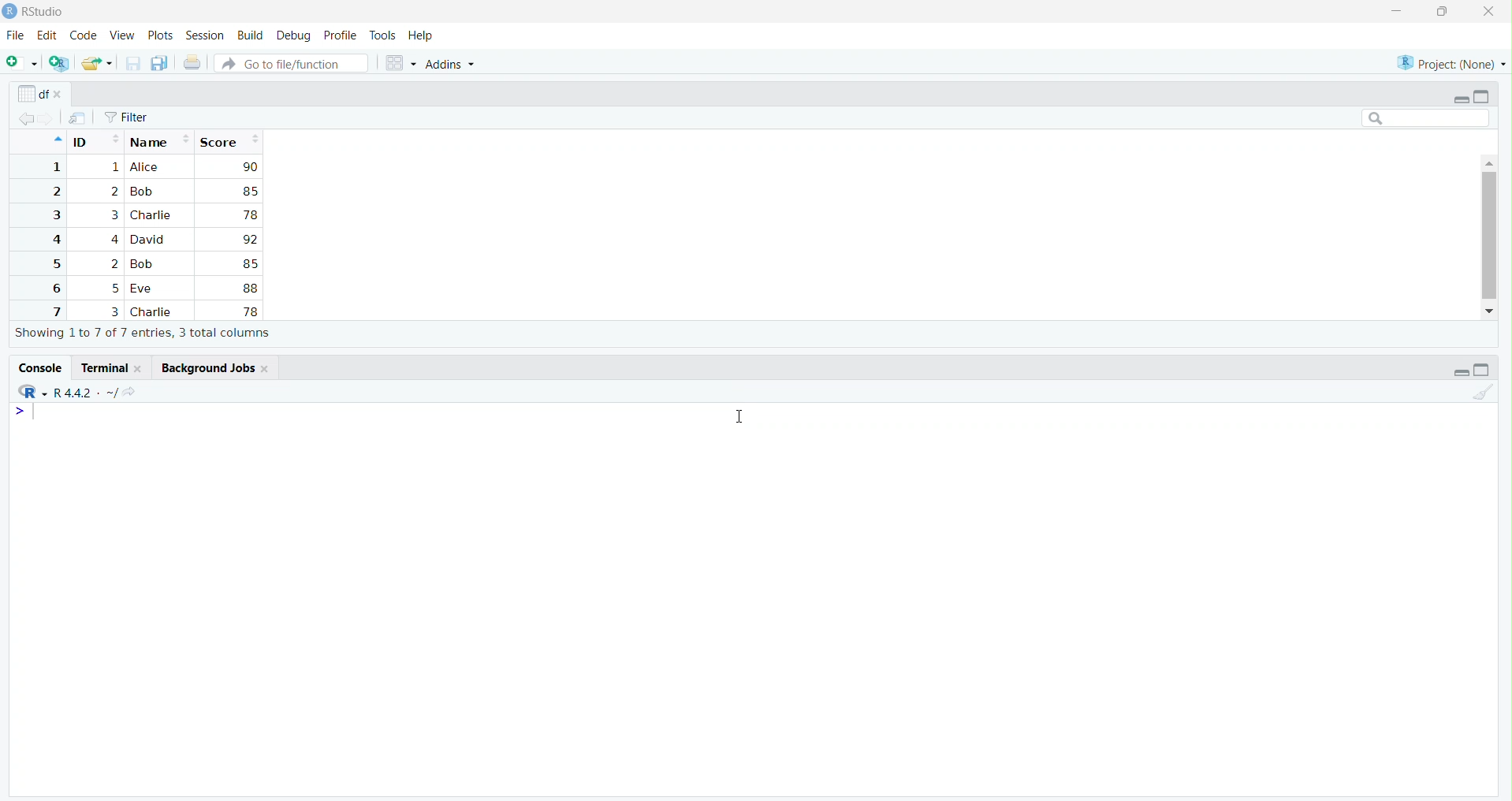 The height and width of the screenshot is (801, 1512). I want to click on 5, so click(54, 264).